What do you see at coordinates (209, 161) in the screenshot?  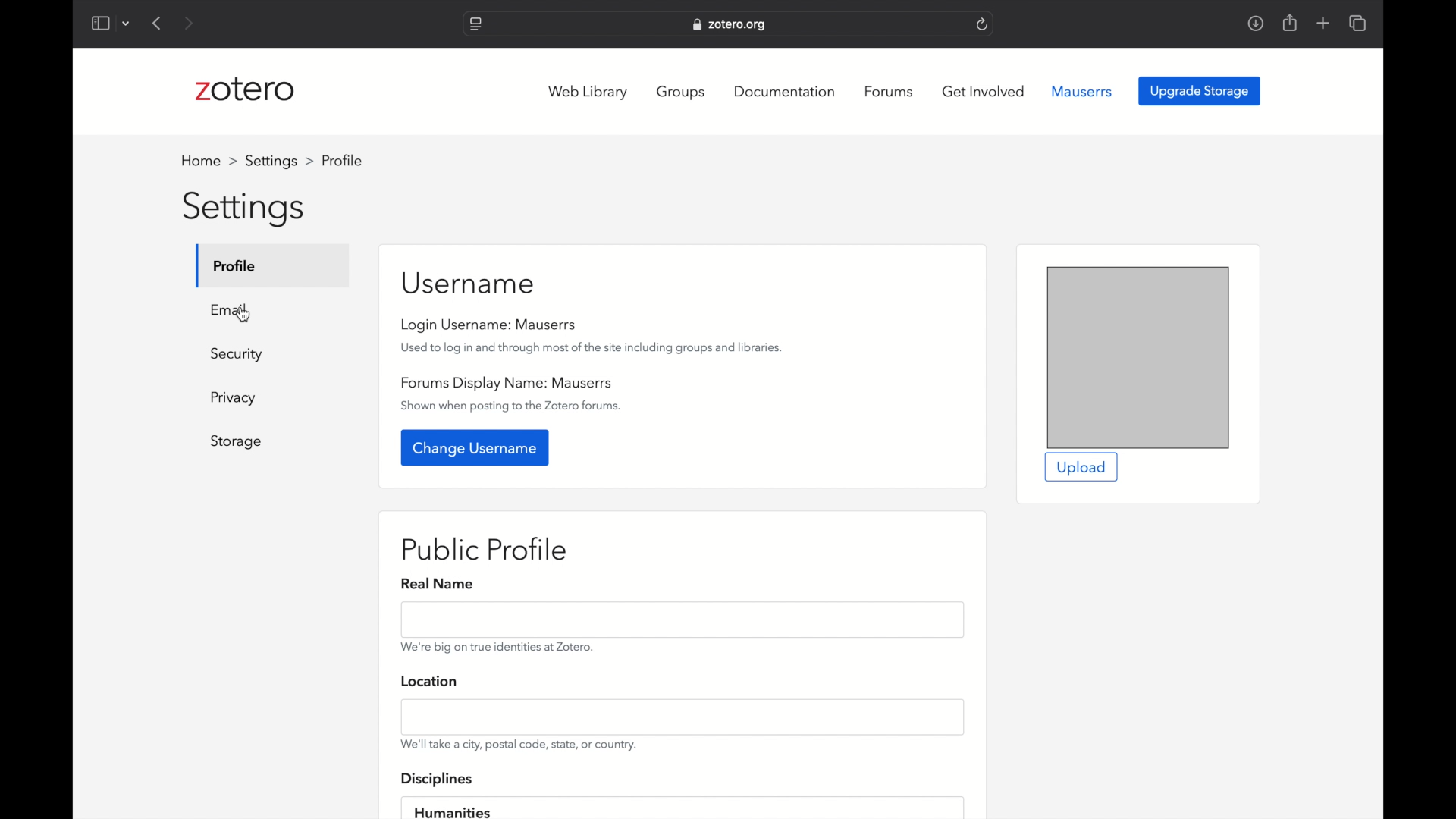 I see `home` at bounding box center [209, 161].